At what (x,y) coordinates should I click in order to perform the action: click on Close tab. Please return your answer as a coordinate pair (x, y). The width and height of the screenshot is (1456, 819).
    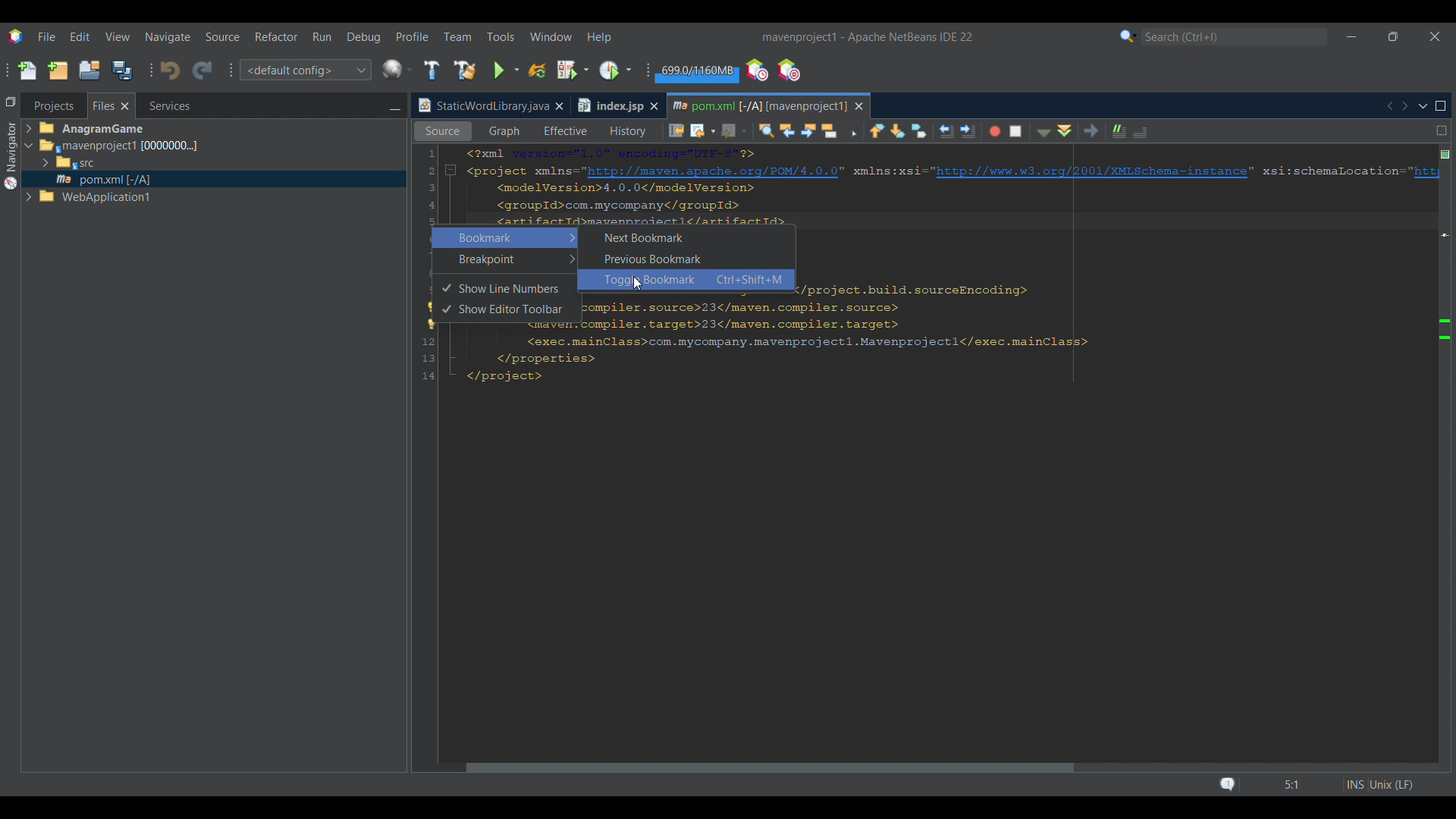
    Looking at the image, I should click on (859, 106).